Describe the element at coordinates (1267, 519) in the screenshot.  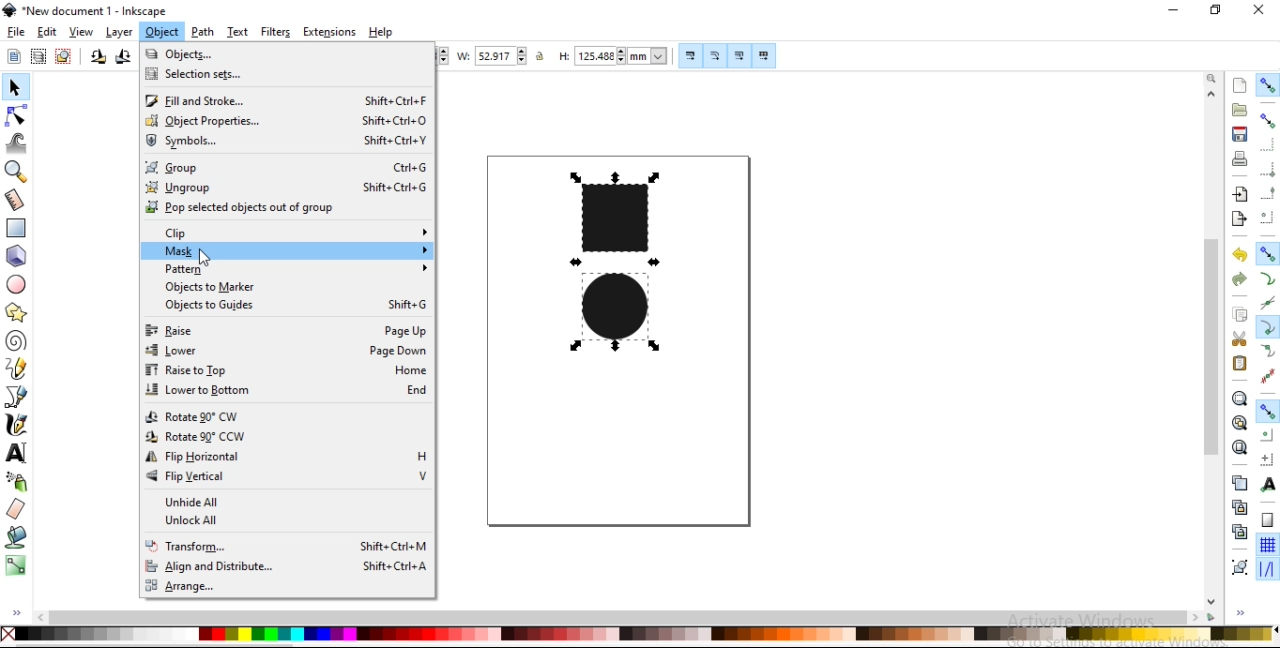
I see `snap to page borders` at that location.